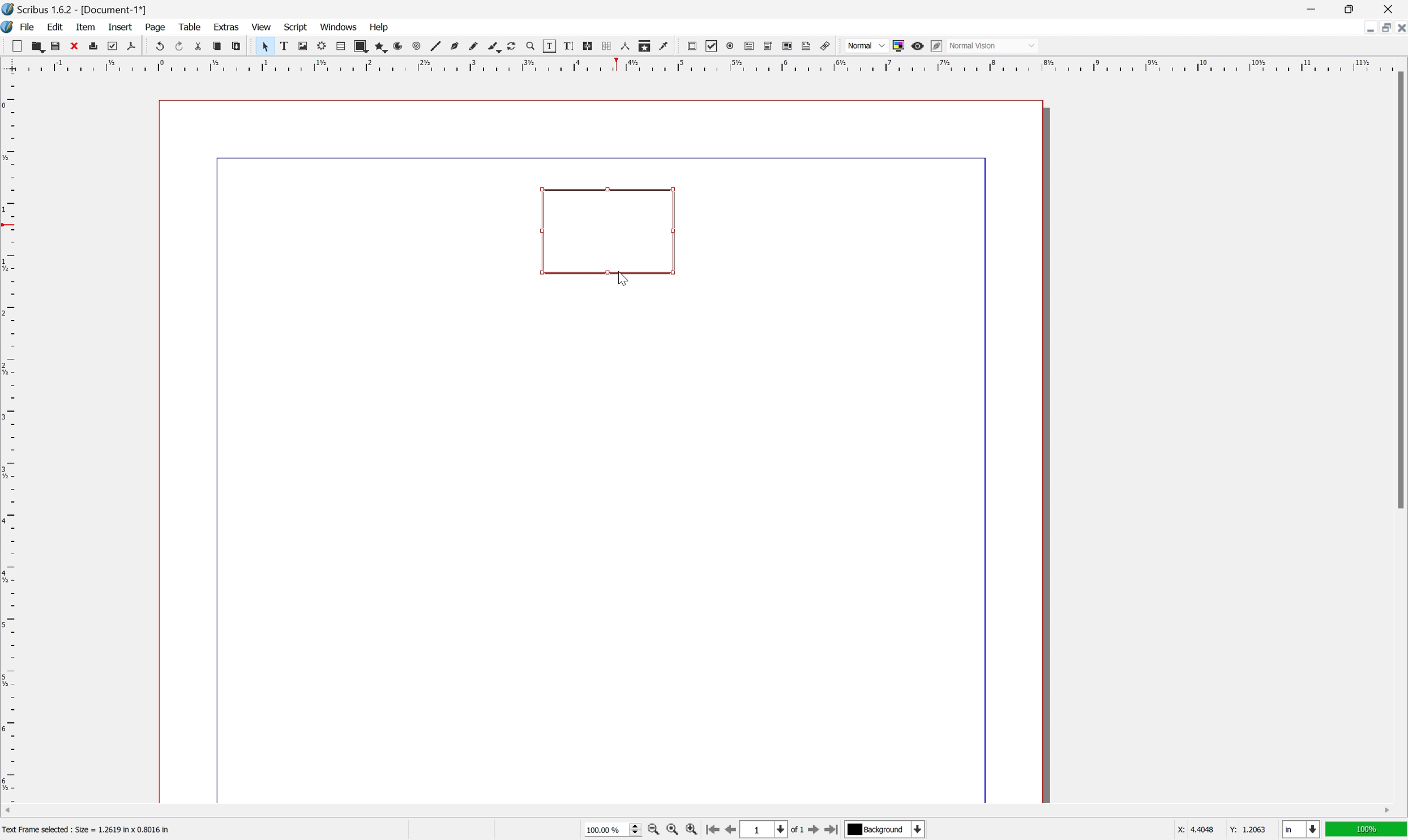 This screenshot has width=1408, height=840. Describe the element at coordinates (339, 27) in the screenshot. I see `windows` at that location.